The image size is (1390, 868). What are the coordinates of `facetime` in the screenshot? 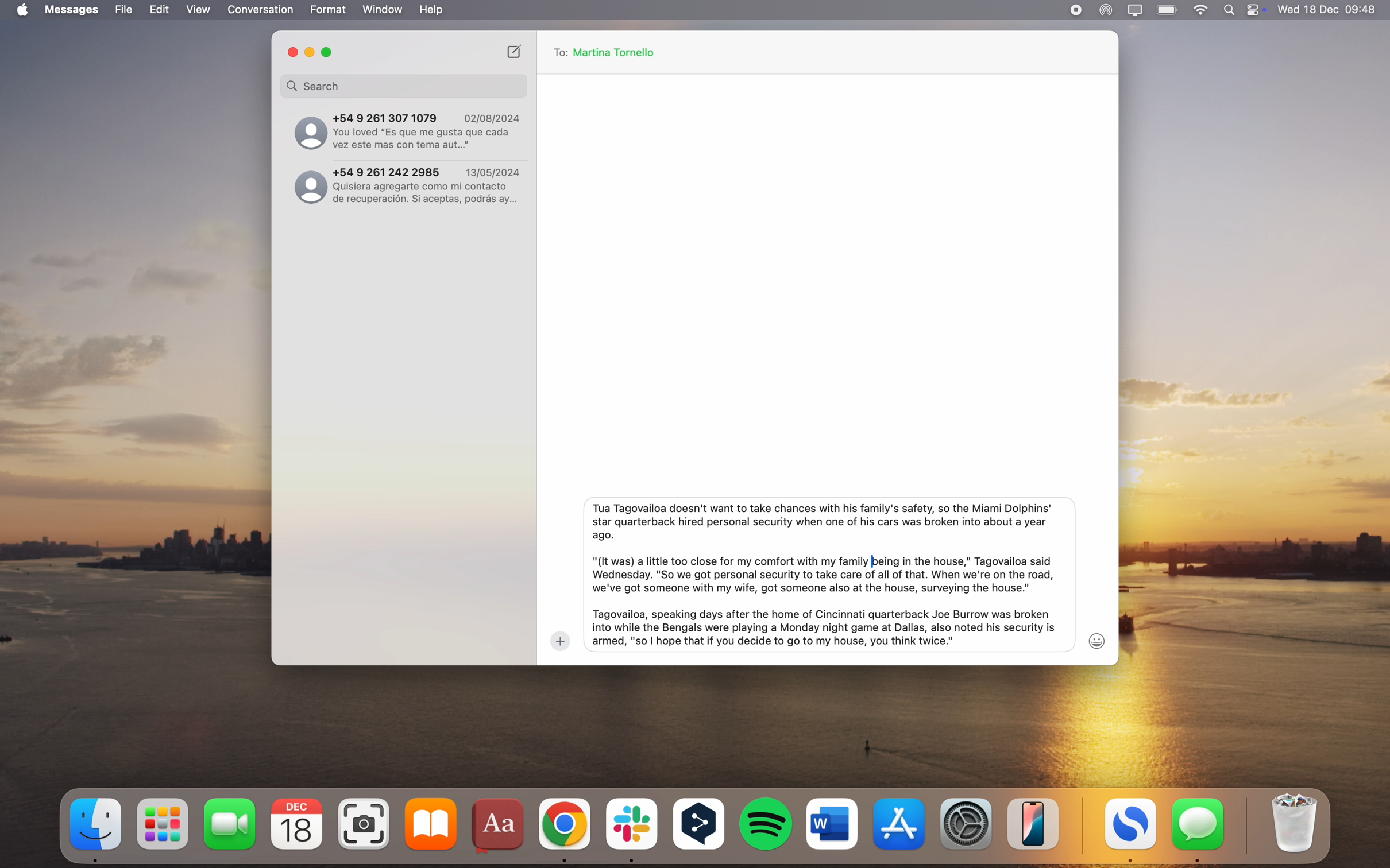 It's located at (230, 823).